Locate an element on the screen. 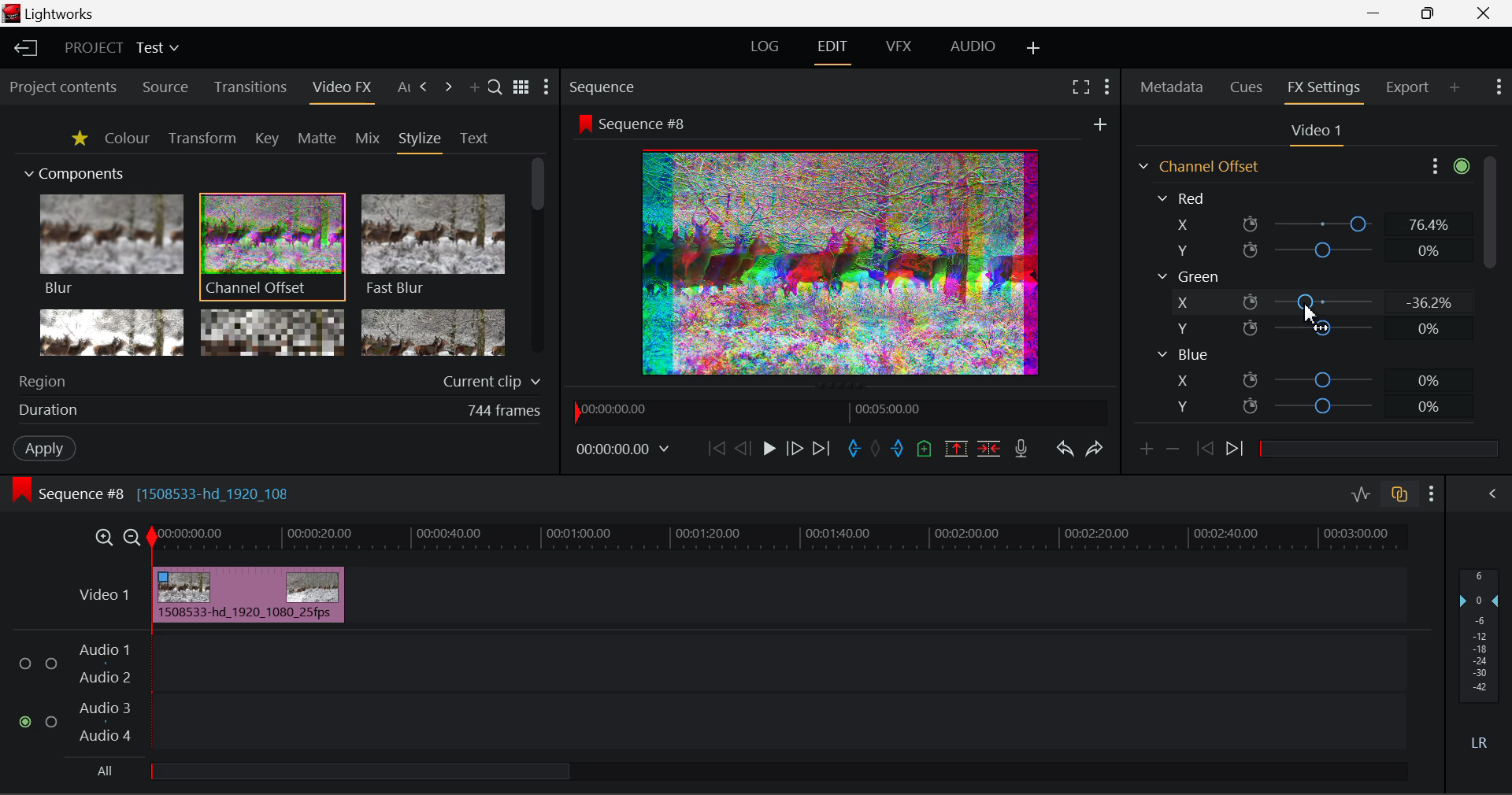  VFX Layout is located at coordinates (899, 50).